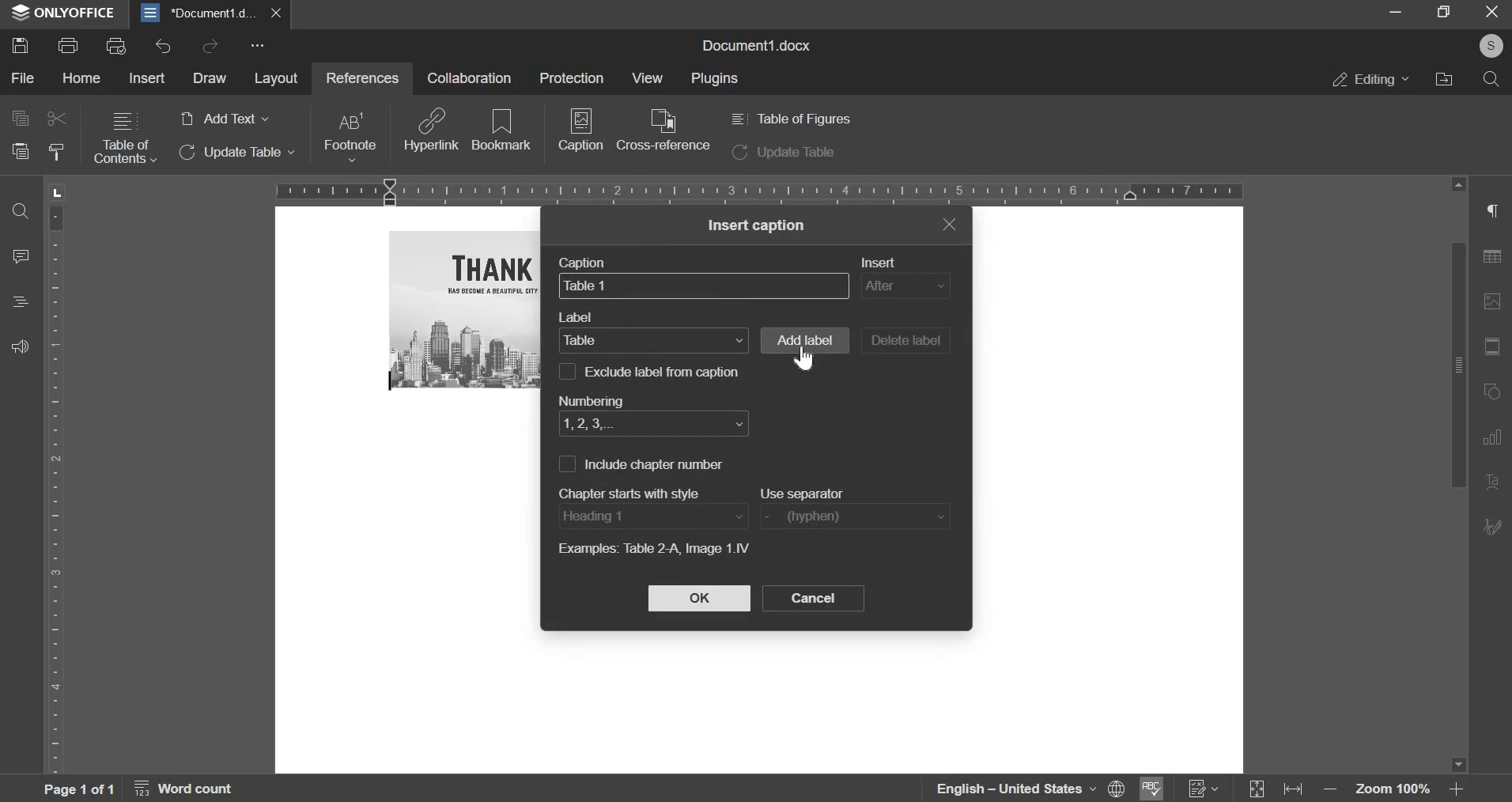 This screenshot has width=1512, height=802. Describe the element at coordinates (716, 79) in the screenshot. I see `plugins` at that location.